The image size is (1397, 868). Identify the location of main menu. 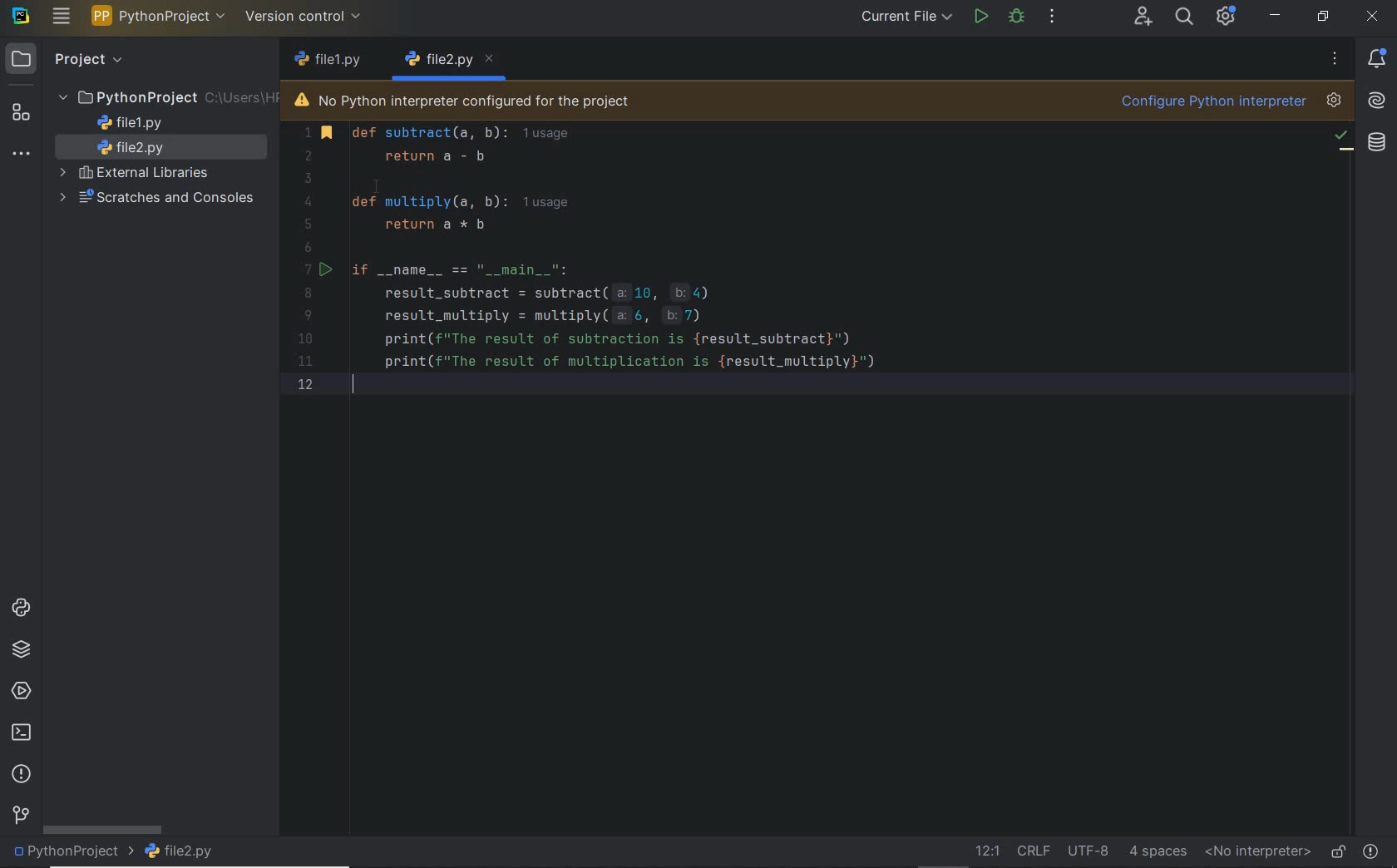
(62, 18).